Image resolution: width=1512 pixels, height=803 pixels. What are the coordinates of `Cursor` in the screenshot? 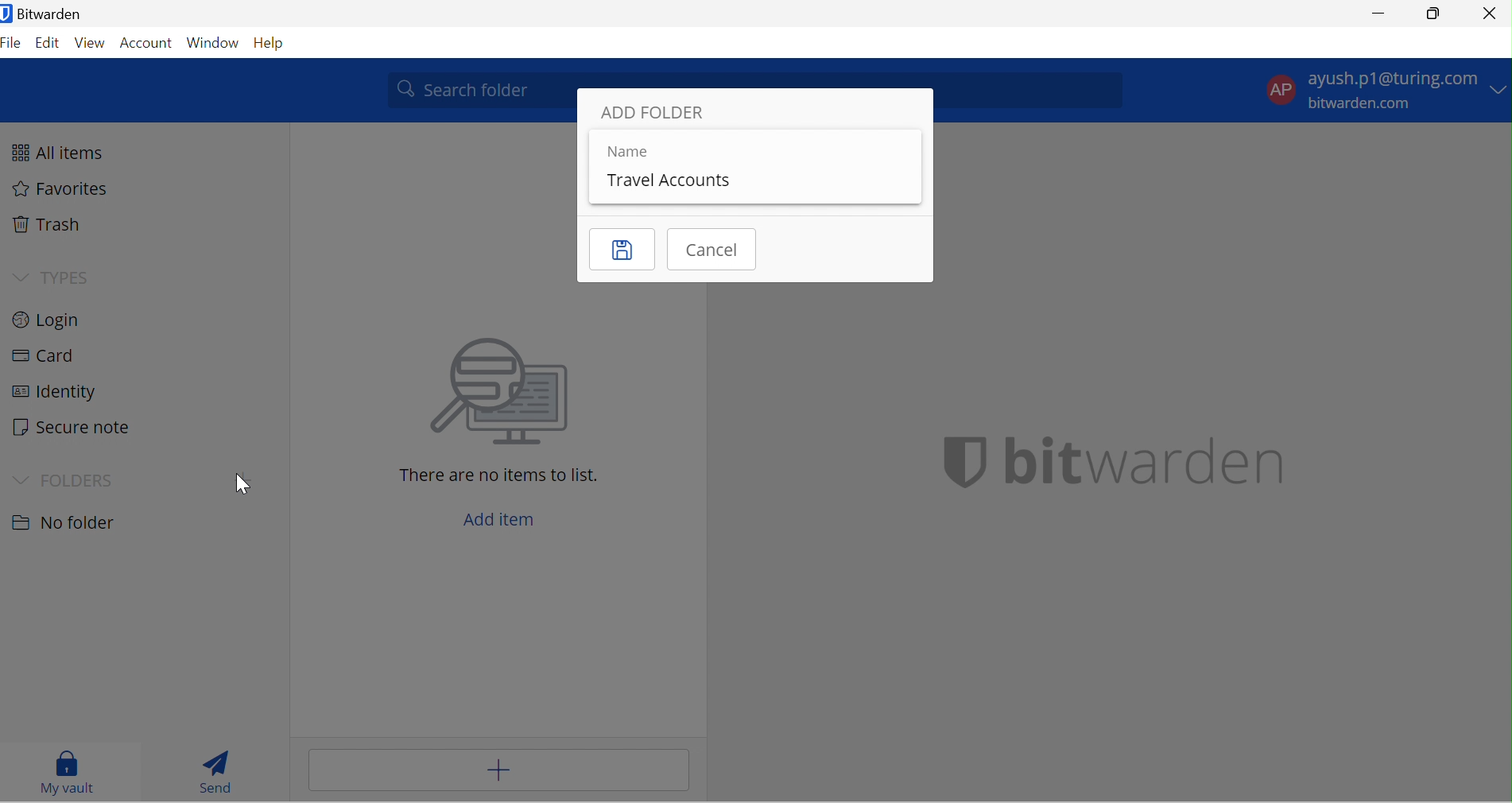 It's located at (246, 484).